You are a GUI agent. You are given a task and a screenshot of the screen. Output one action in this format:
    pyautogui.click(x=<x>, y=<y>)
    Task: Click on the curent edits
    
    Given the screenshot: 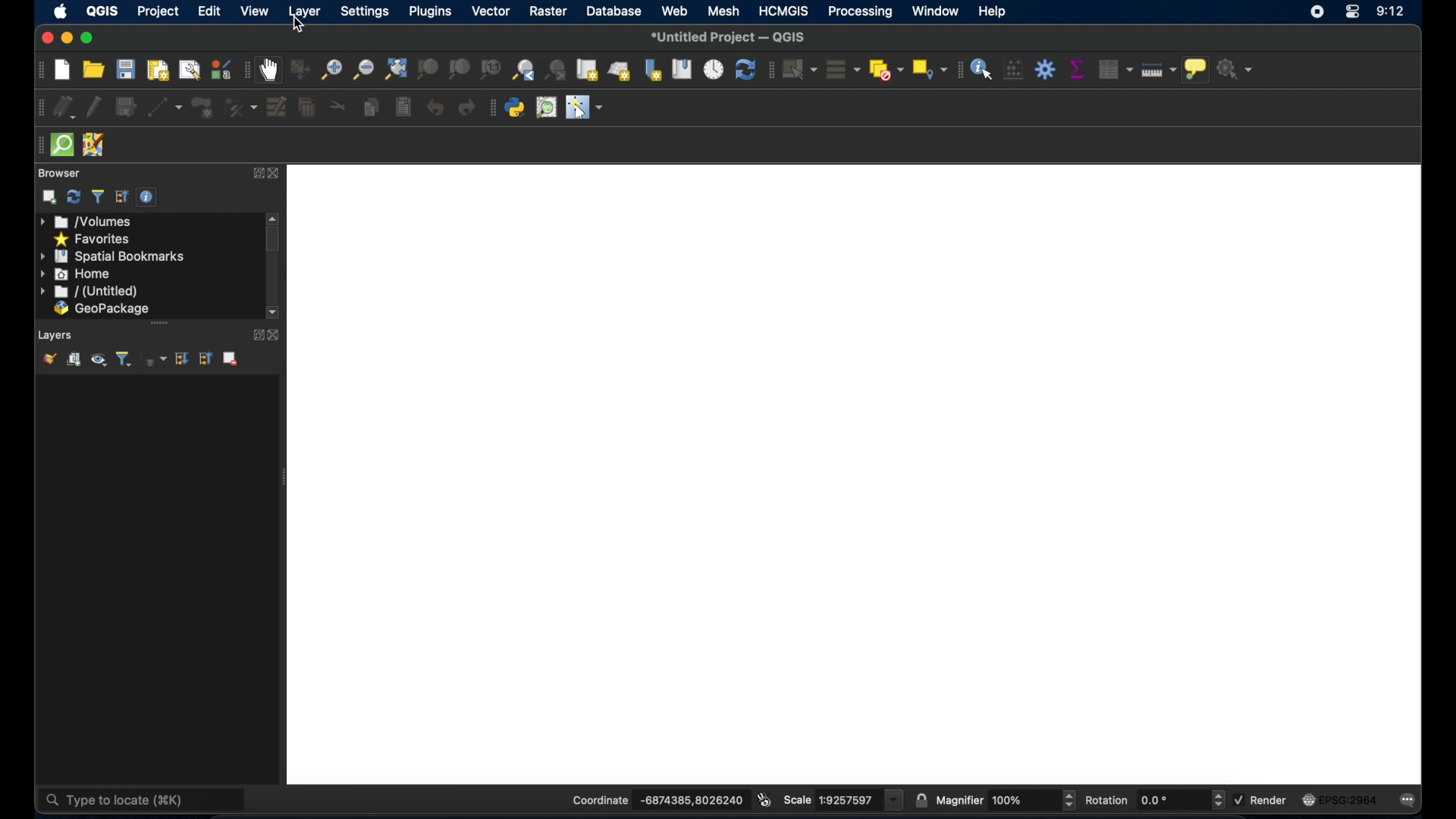 What is the action you would take?
    pyautogui.click(x=65, y=107)
    